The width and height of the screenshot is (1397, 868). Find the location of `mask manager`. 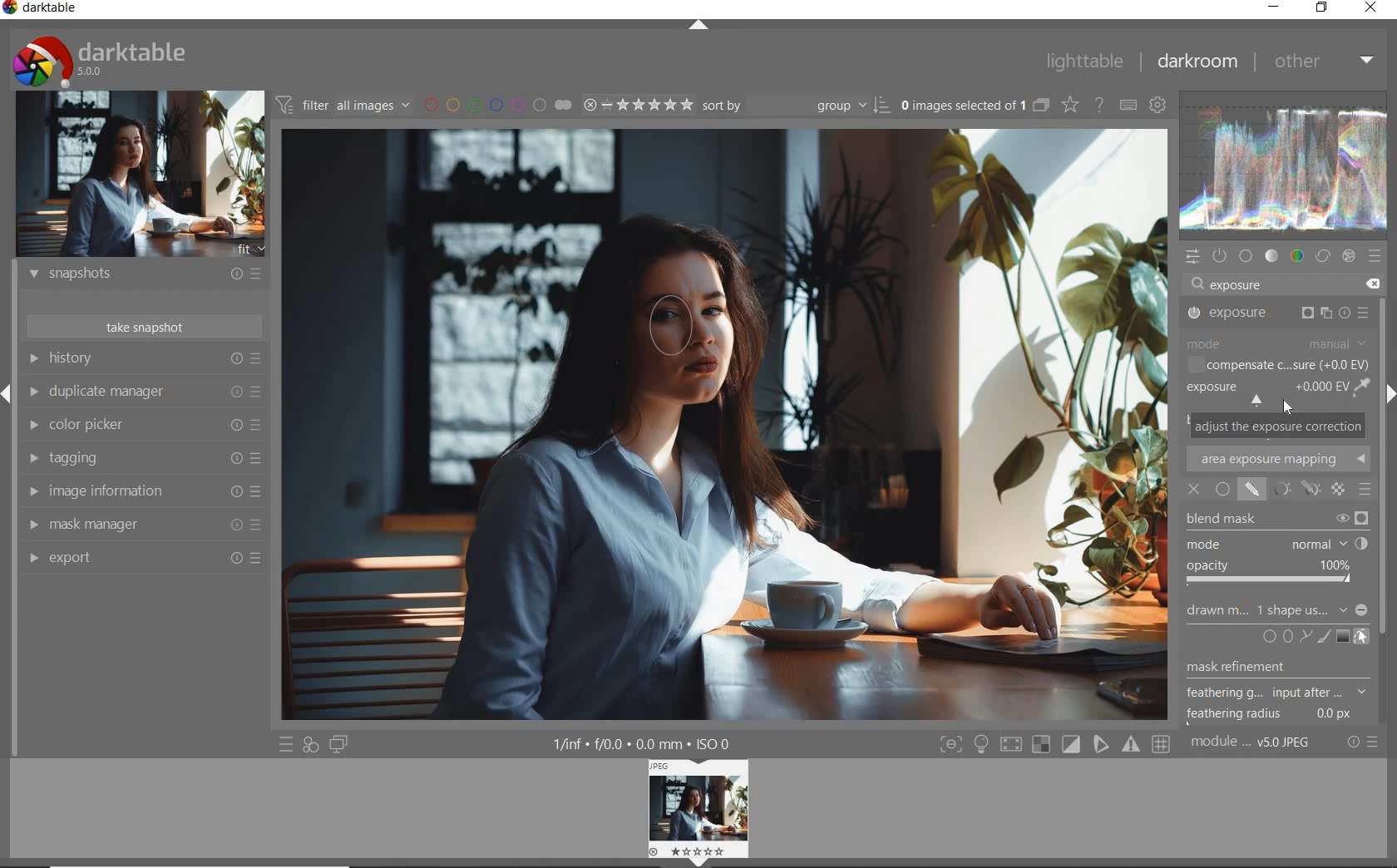

mask manager is located at coordinates (141, 523).